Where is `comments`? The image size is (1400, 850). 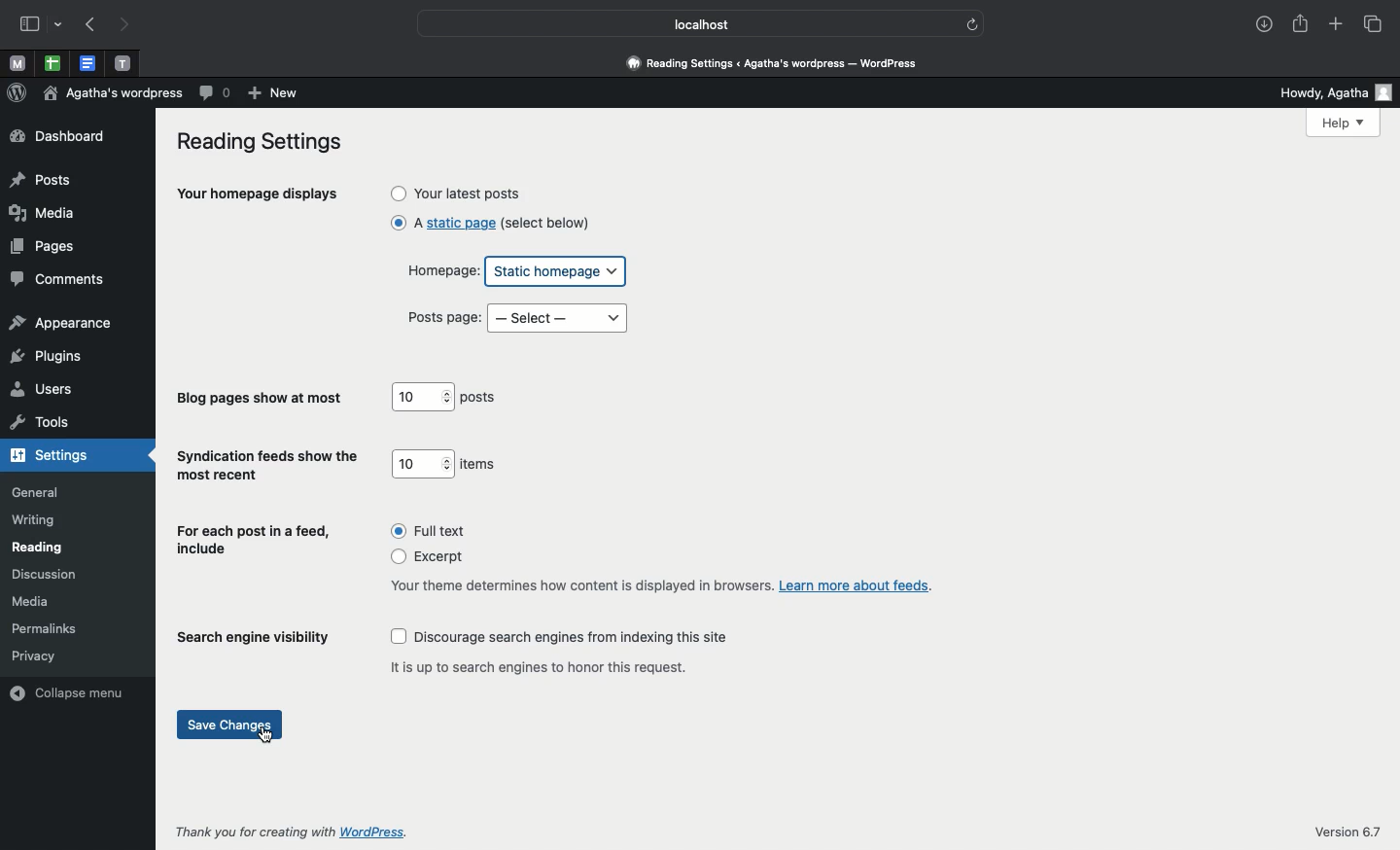 comments is located at coordinates (57, 280).